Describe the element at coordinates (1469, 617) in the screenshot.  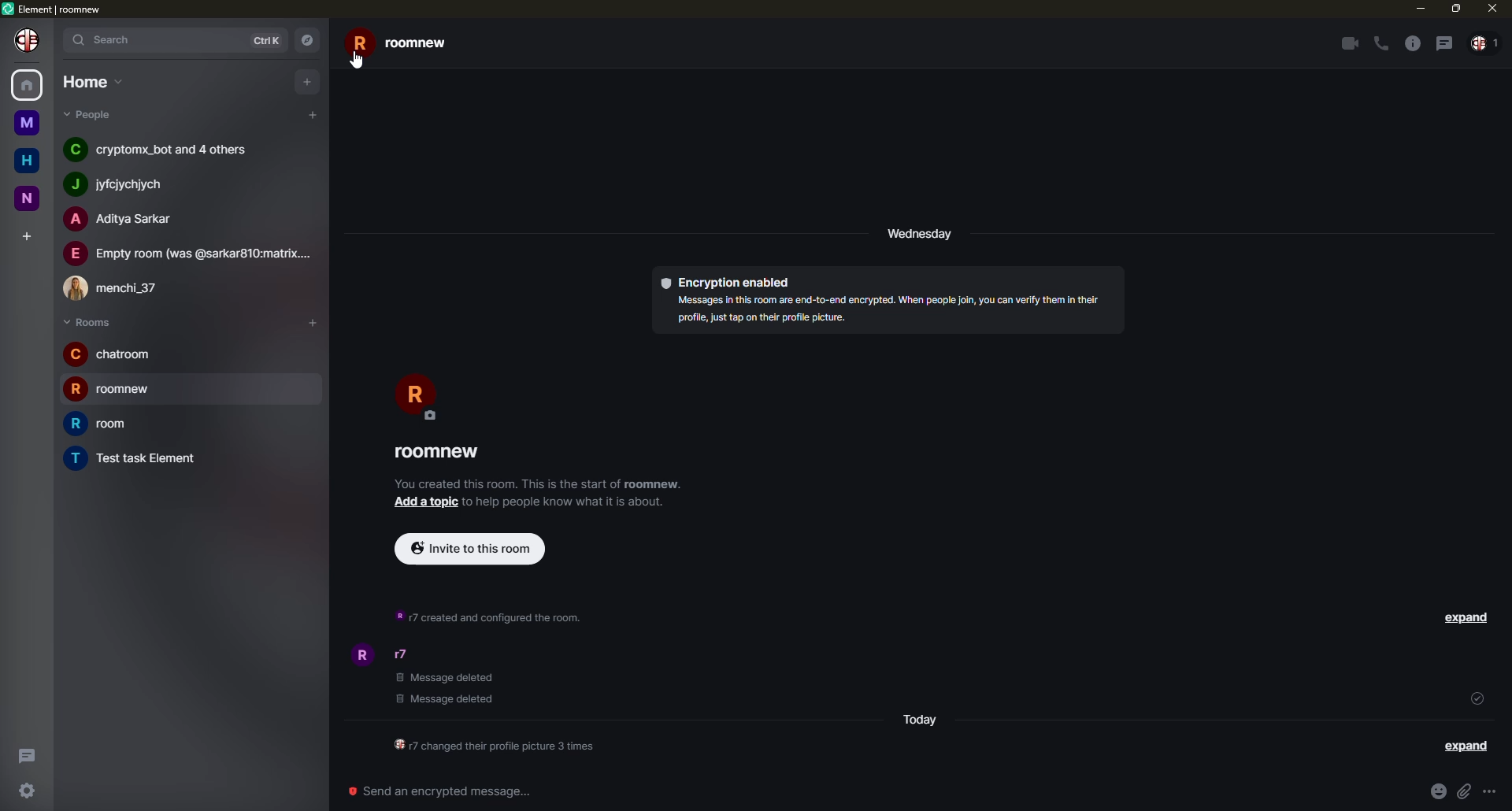
I see `expand` at that location.